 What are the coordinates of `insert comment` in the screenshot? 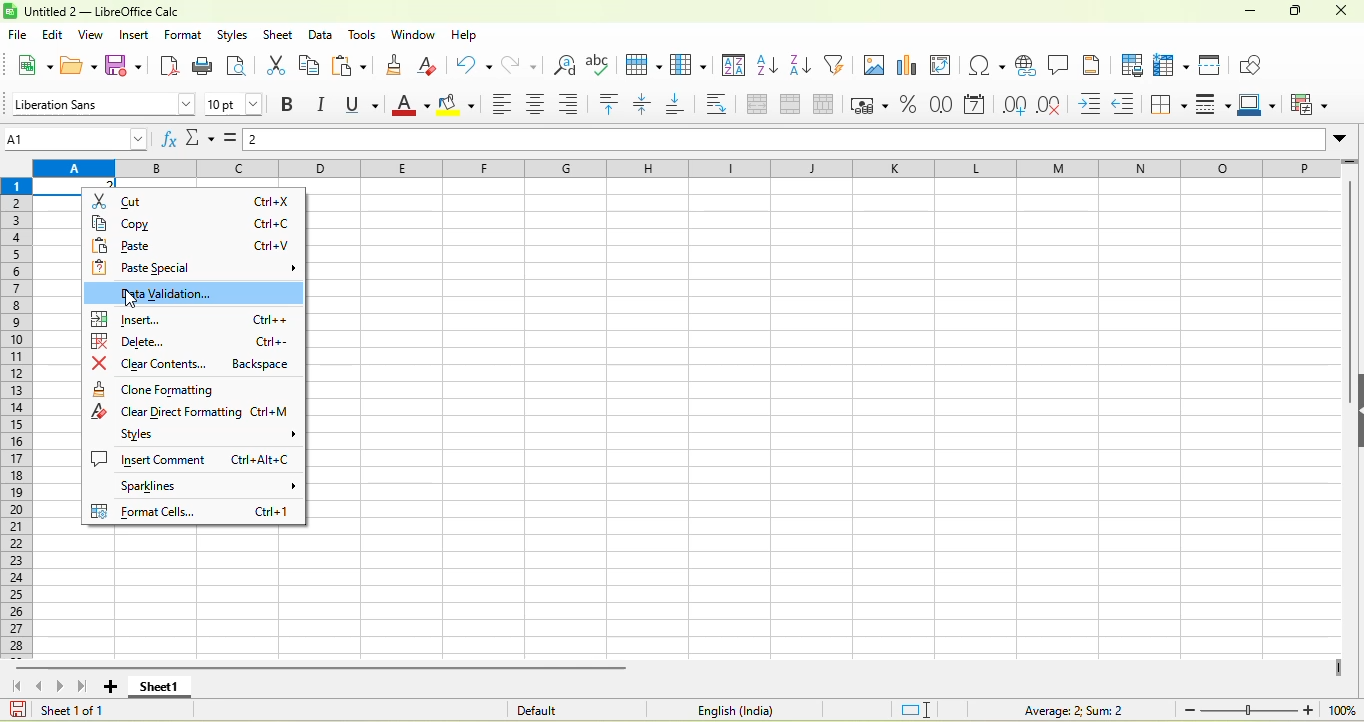 It's located at (196, 459).